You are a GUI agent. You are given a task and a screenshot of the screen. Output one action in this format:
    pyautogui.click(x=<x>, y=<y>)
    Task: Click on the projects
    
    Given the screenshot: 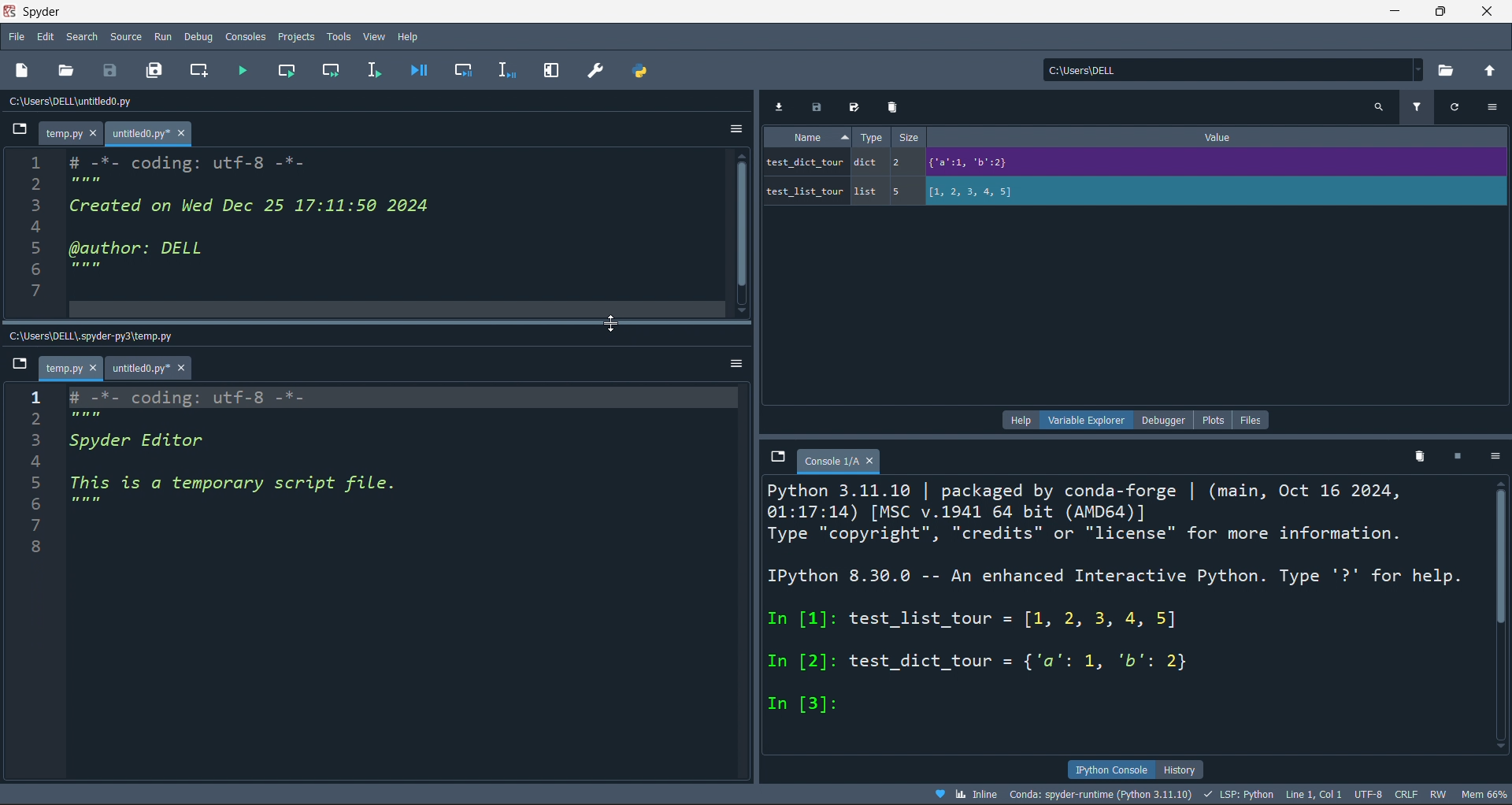 What is the action you would take?
    pyautogui.click(x=293, y=38)
    